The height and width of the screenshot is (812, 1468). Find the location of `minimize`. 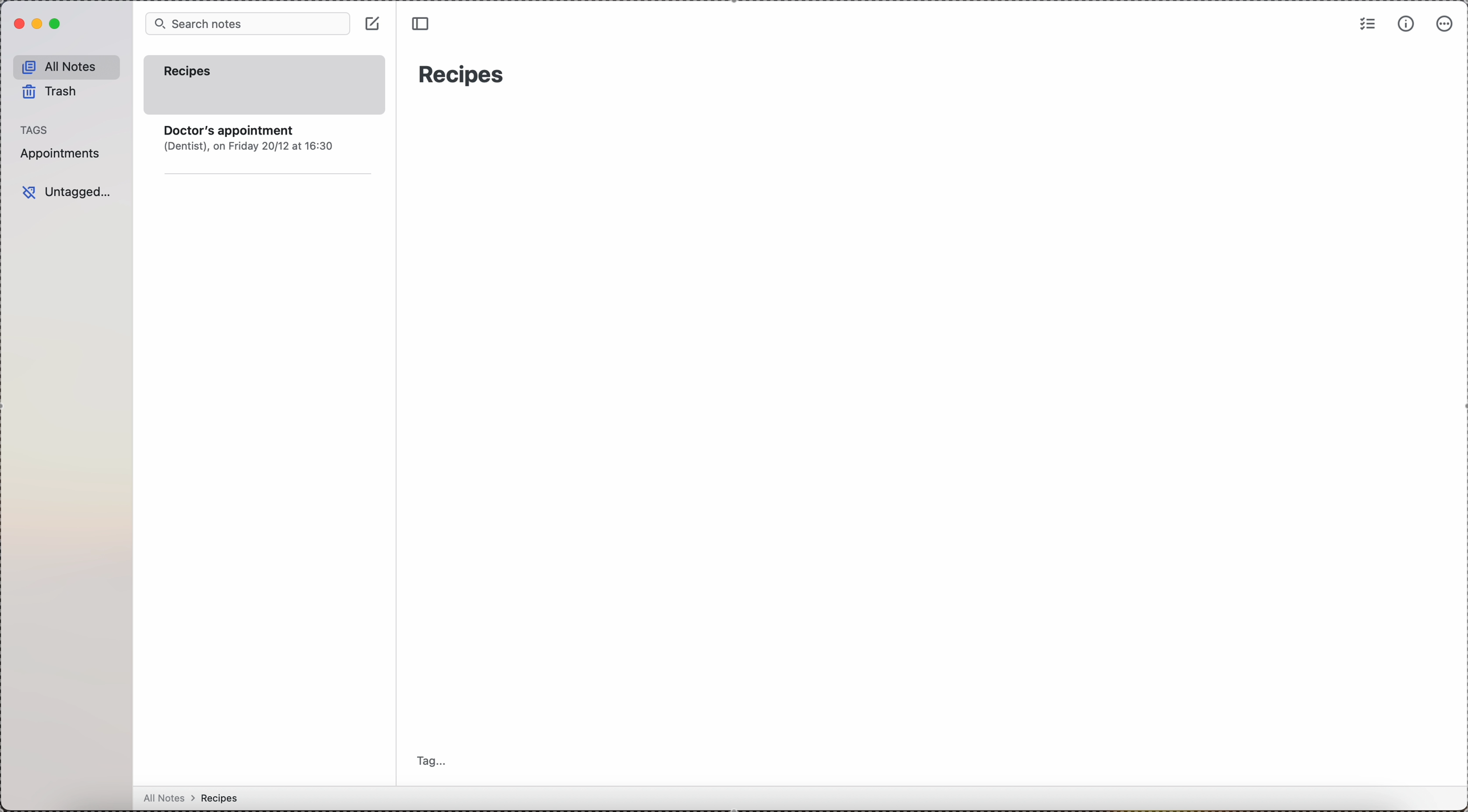

minimize is located at coordinates (38, 25).